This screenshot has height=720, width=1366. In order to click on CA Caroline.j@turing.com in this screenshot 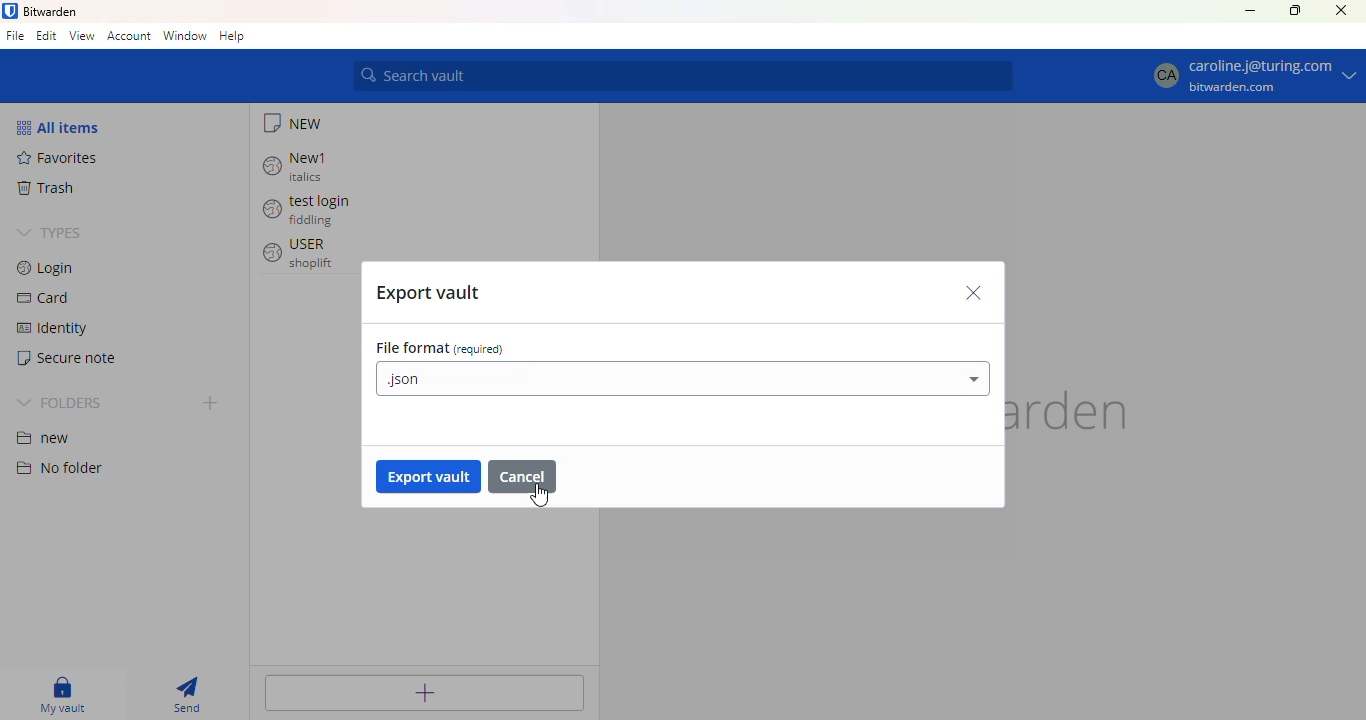, I will do `click(1256, 77)`.